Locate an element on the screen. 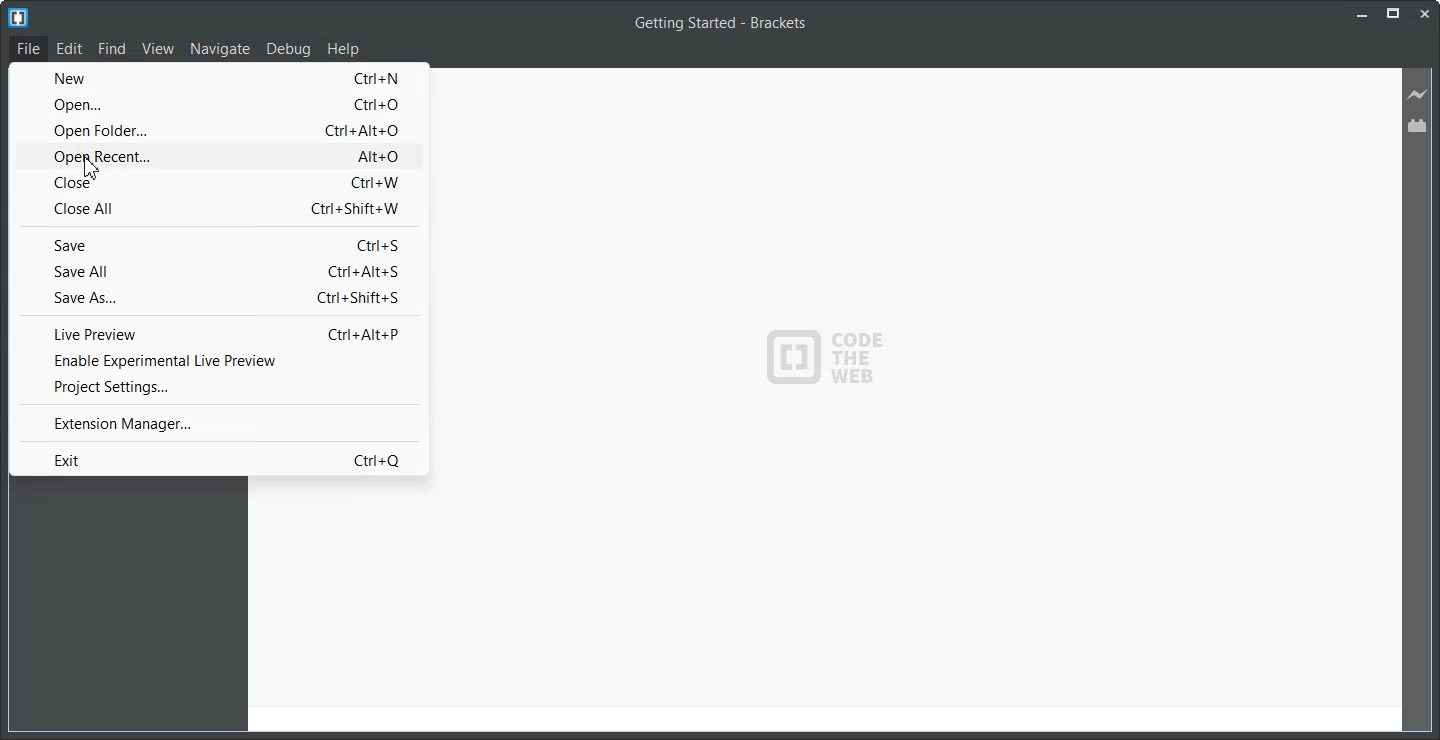 The image size is (1440, 740). Open Recent is located at coordinates (216, 156).